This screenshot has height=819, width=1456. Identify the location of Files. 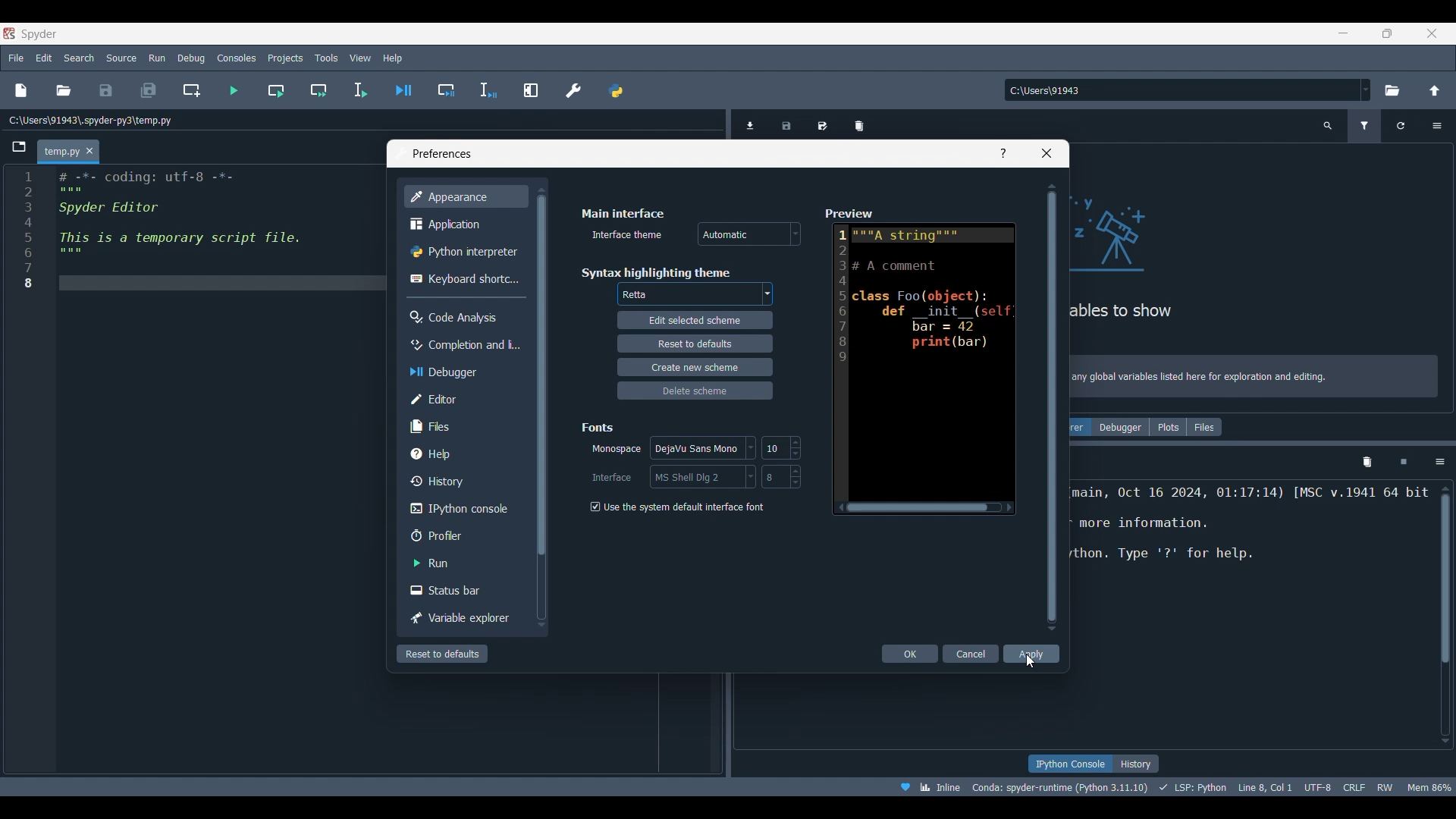
(465, 425).